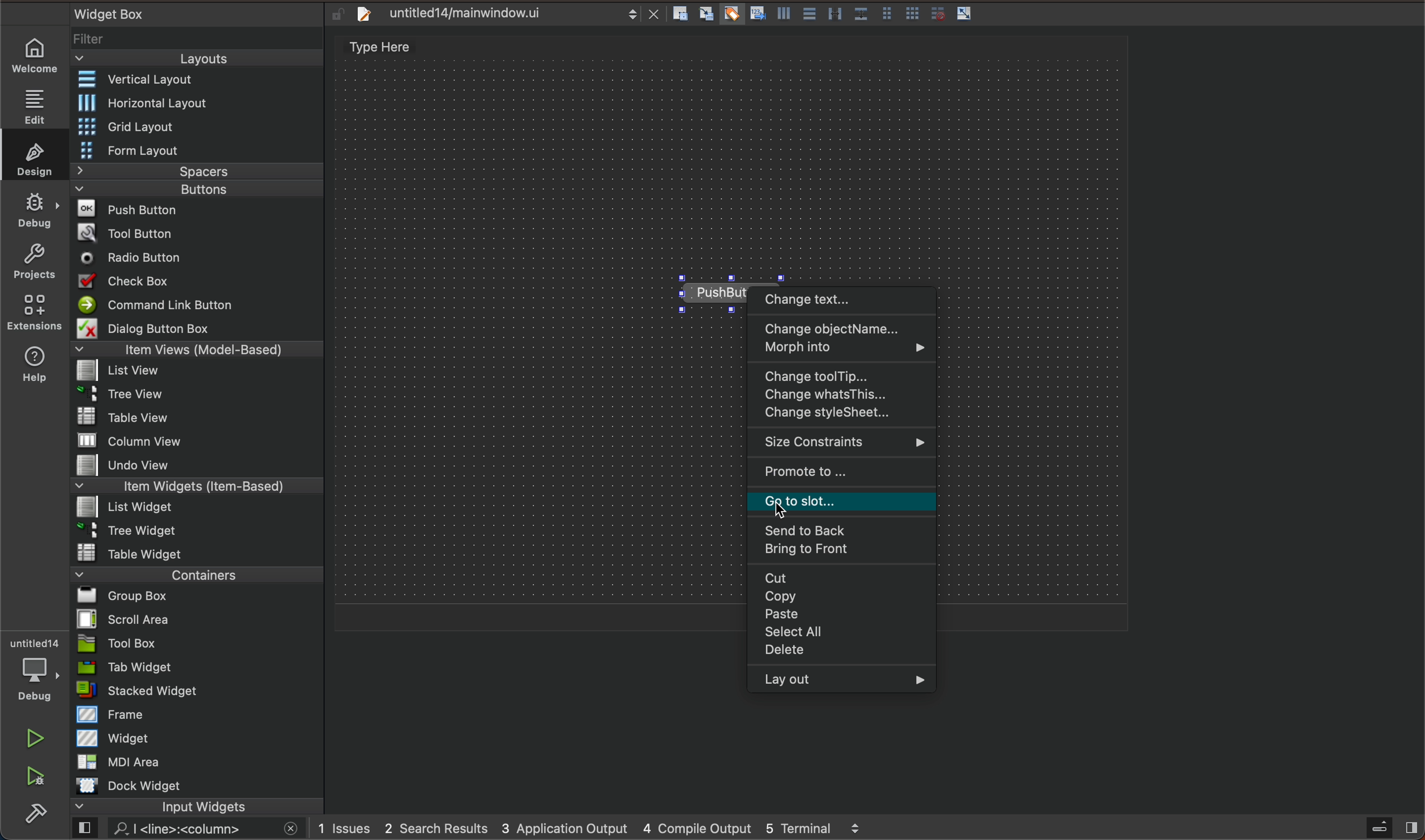 This screenshot has width=1425, height=840. What do you see at coordinates (192, 599) in the screenshot?
I see `group box` at bounding box center [192, 599].